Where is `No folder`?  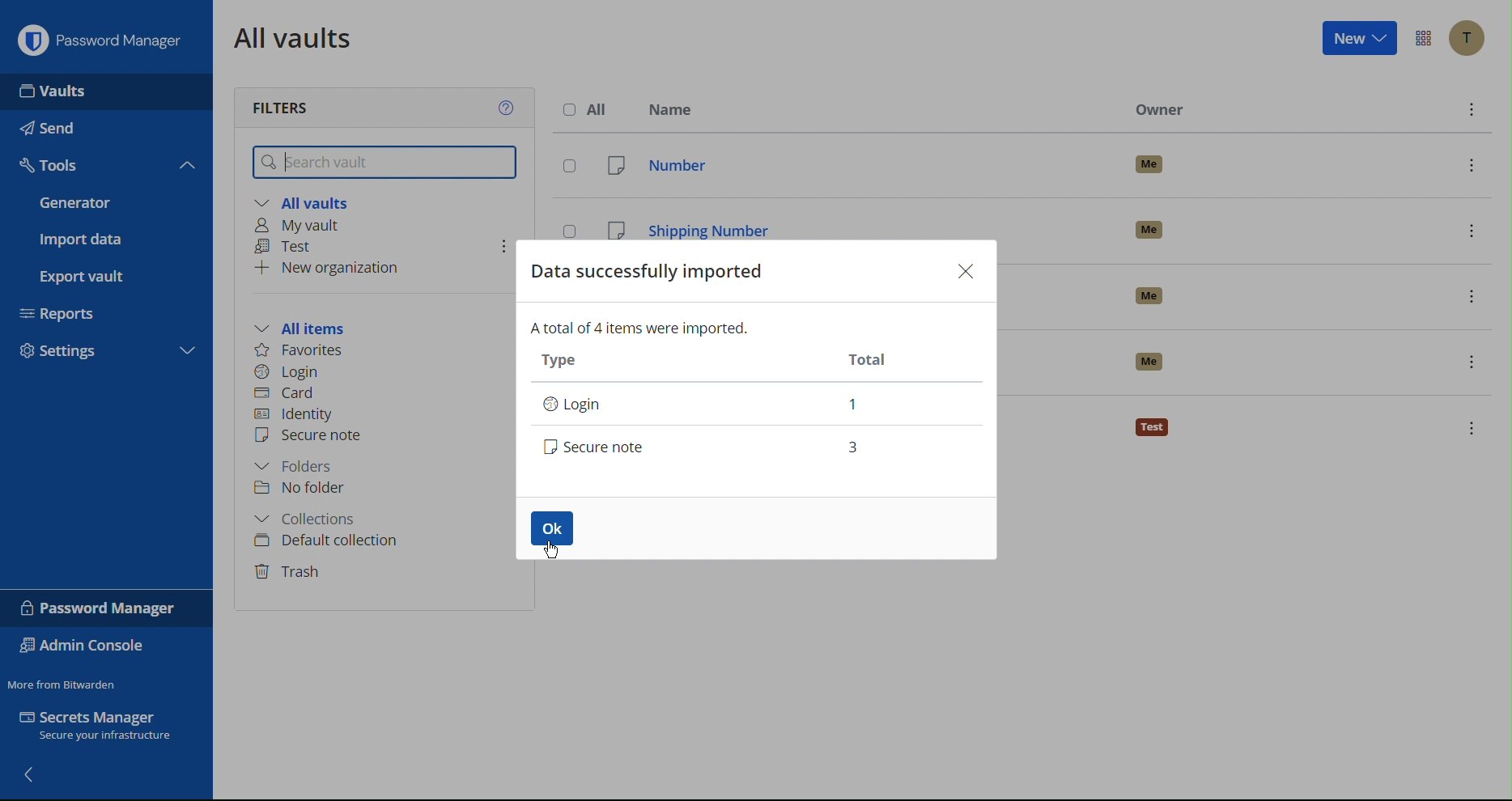 No folder is located at coordinates (300, 491).